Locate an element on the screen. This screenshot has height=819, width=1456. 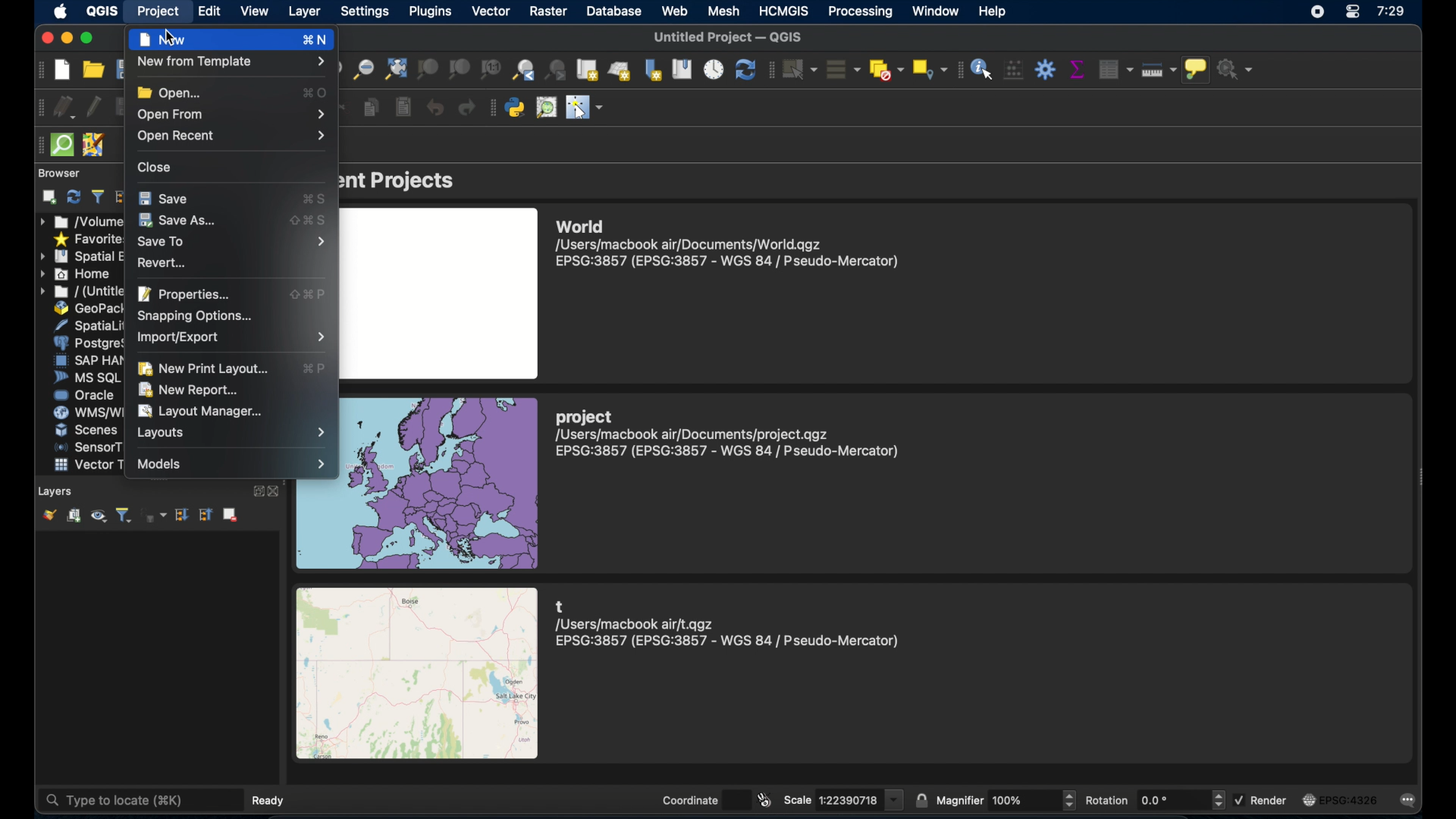
ready is located at coordinates (270, 800).